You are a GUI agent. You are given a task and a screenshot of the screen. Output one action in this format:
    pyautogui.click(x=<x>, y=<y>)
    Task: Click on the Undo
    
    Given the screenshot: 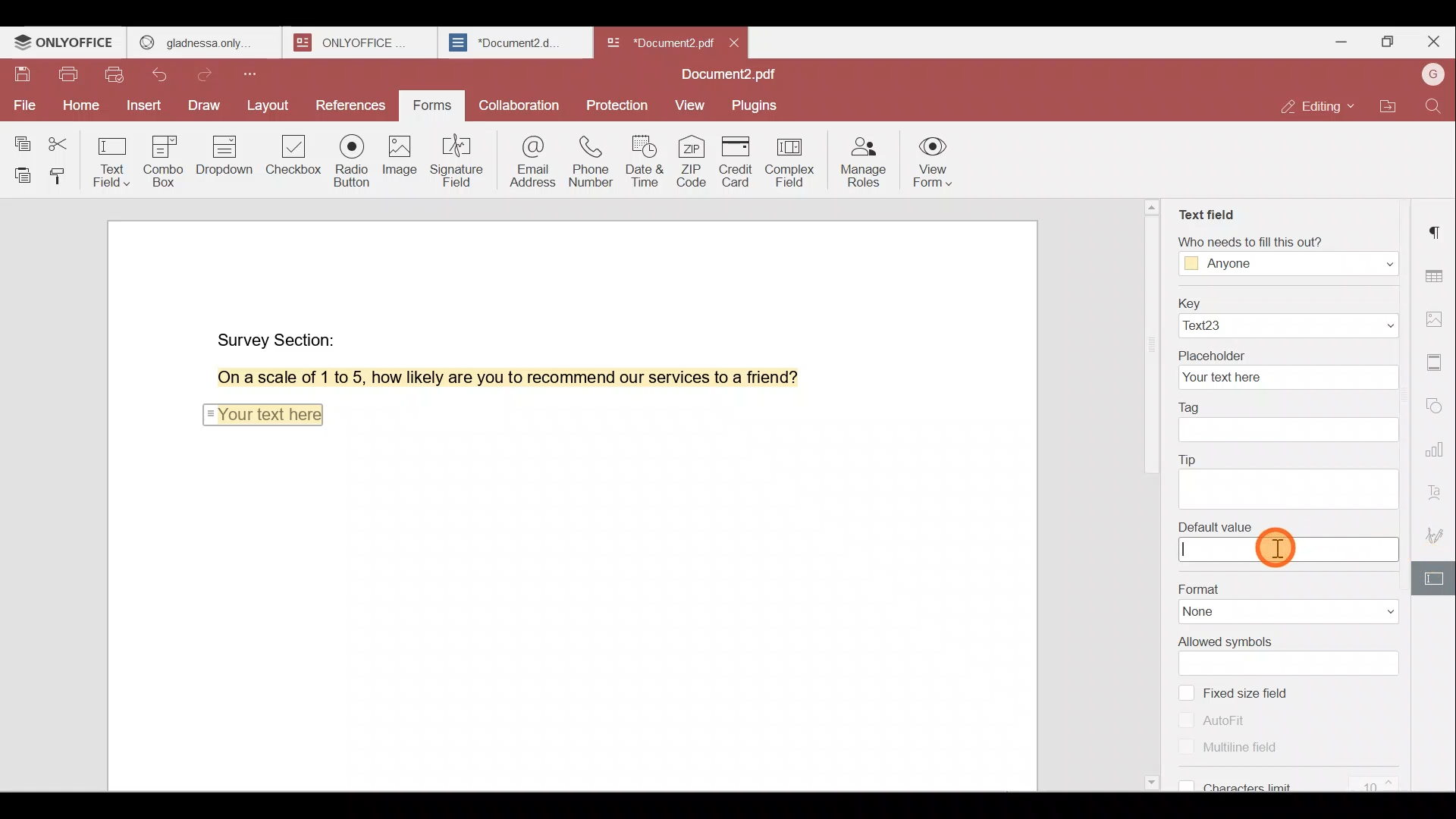 What is the action you would take?
    pyautogui.click(x=168, y=77)
    